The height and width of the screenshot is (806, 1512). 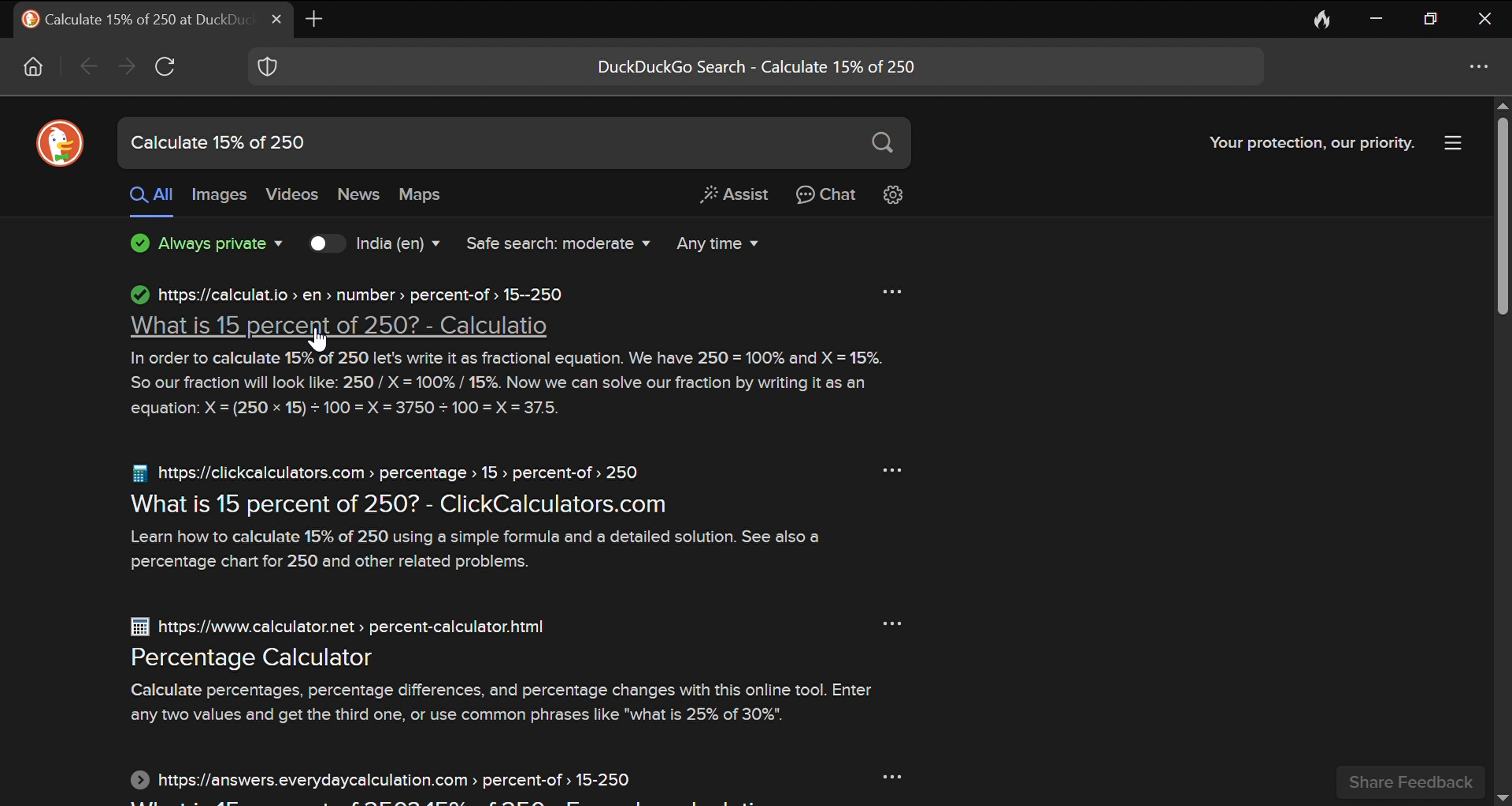 What do you see at coordinates (884, 145) in the screenshot?
I see `search` at bounding box center [884, 145].